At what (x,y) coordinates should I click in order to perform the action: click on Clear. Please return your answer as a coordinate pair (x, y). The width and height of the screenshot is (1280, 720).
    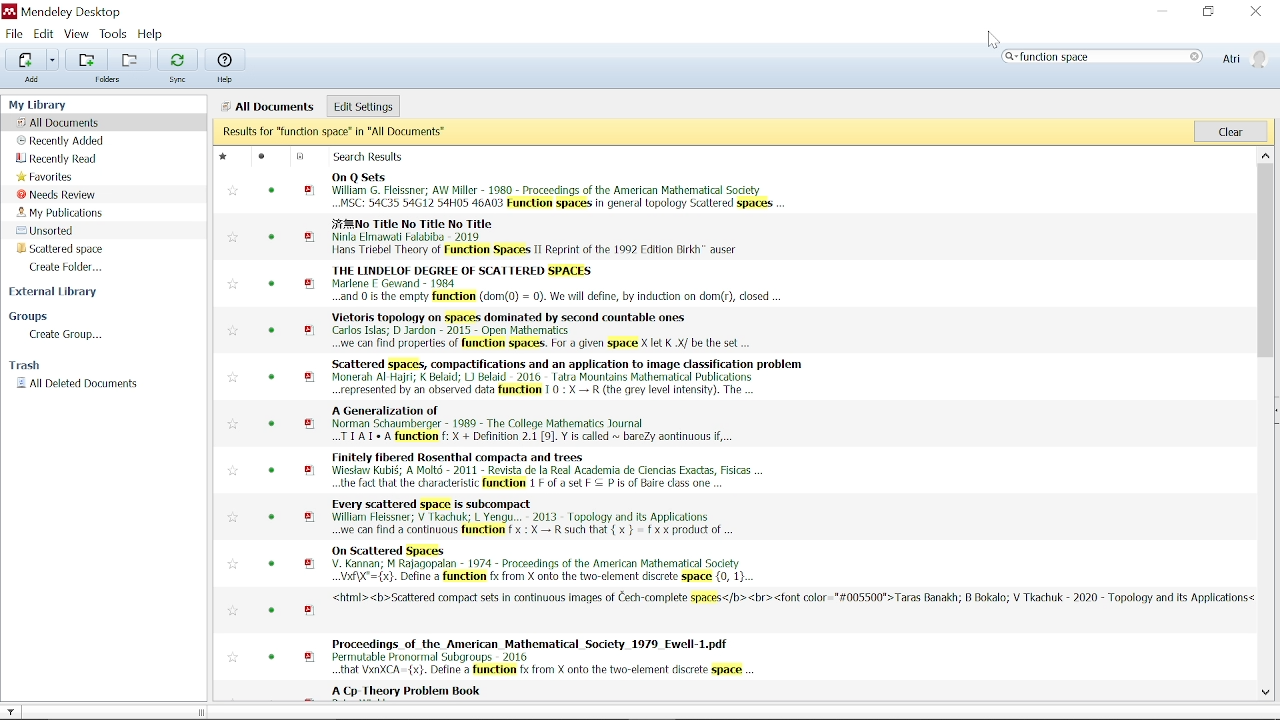
    Looking at the image, I should click on (1232, 132).